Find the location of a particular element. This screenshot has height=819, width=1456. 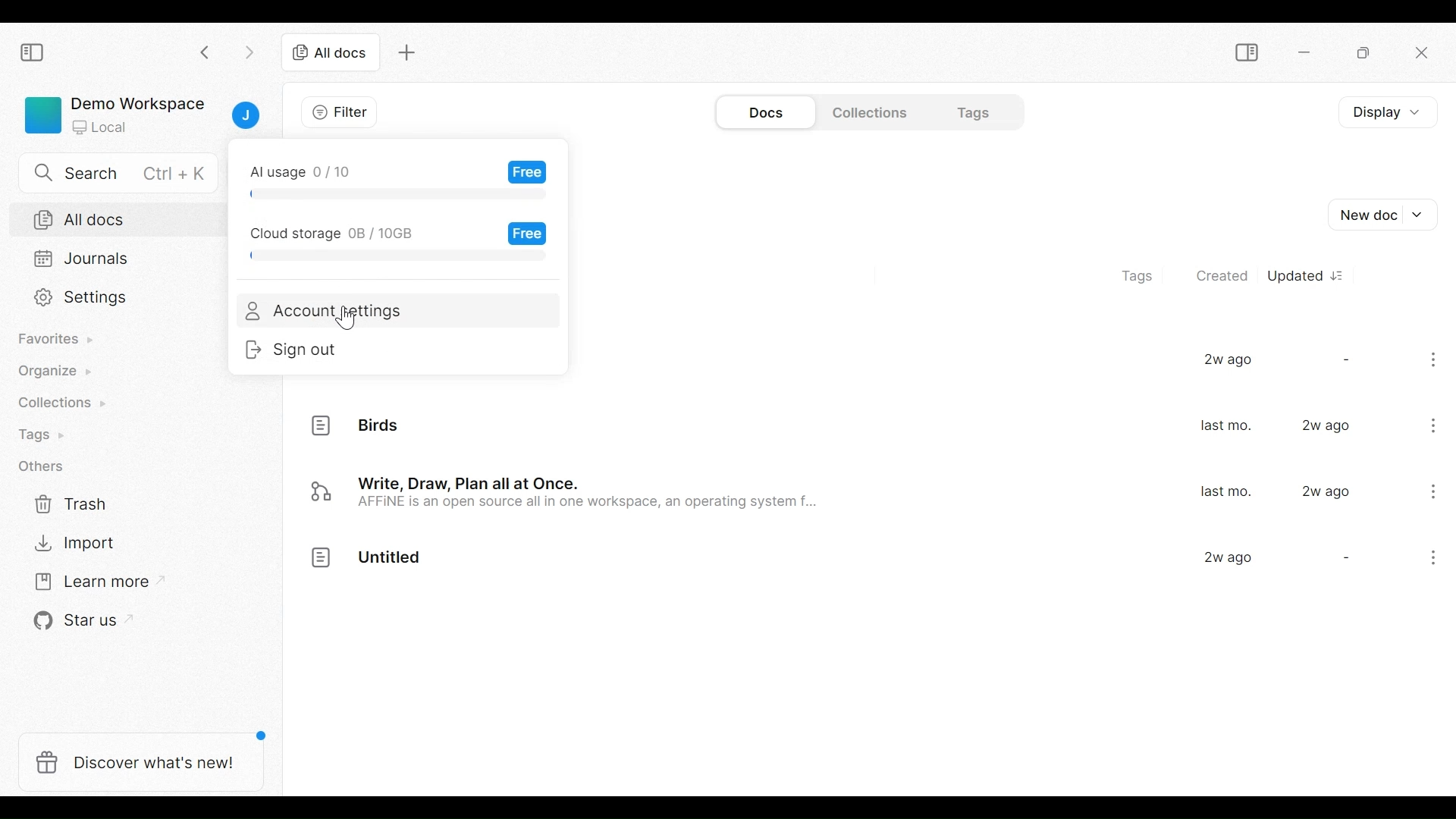

Show/Hide Sidebar is located at coordinates (1245, 52).